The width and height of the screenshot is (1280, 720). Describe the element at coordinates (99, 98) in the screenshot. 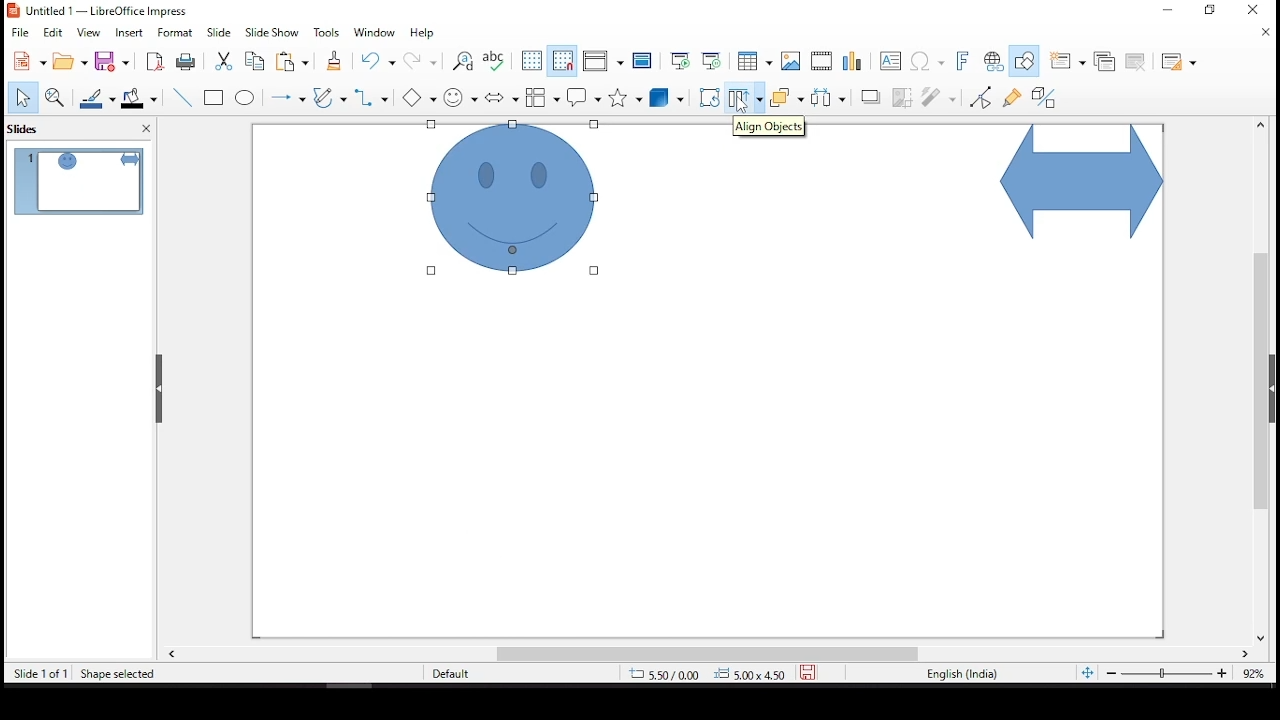

I see `line color` at that location.